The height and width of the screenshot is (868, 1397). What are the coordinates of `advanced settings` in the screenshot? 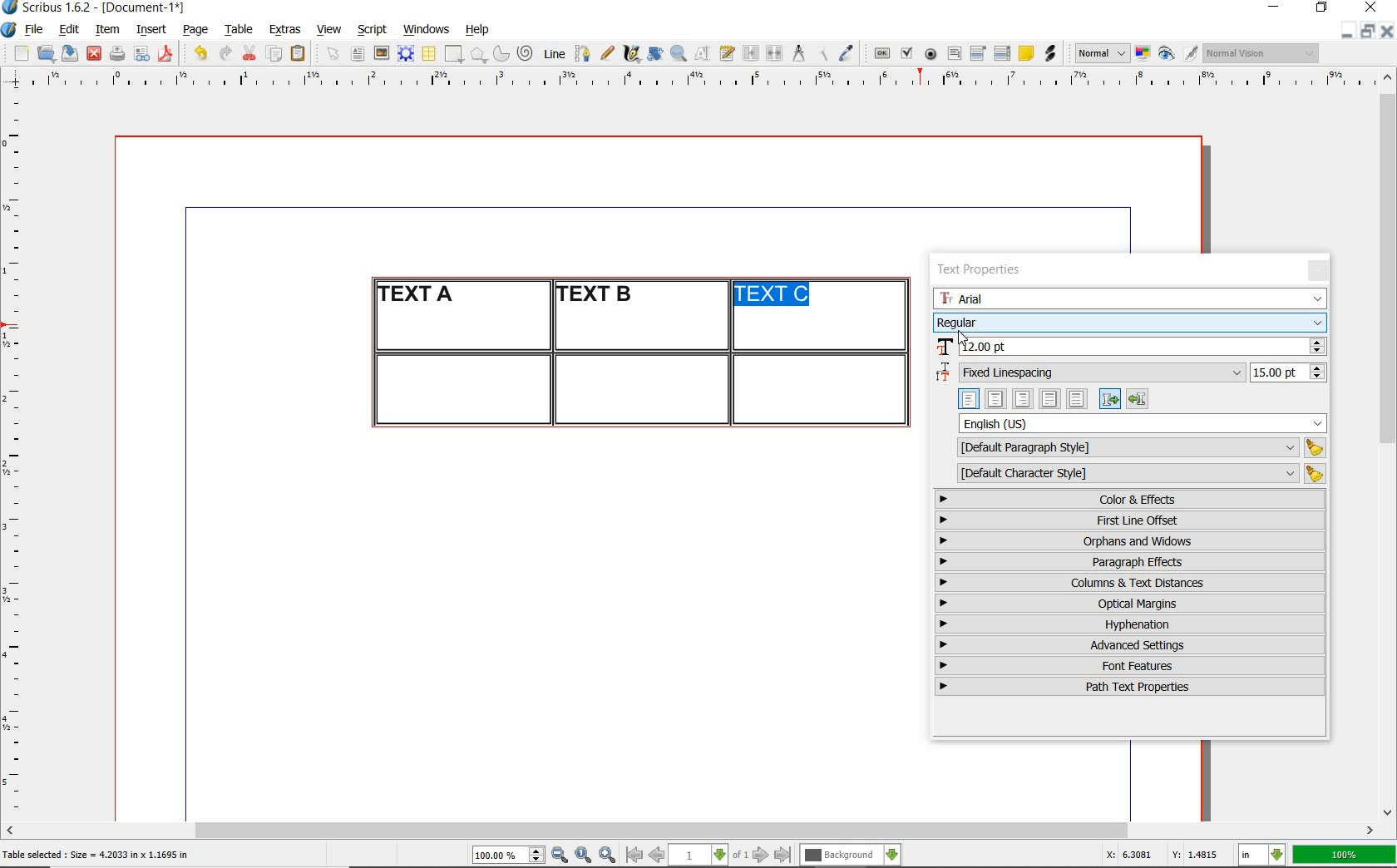 It's located at (1128, 644).